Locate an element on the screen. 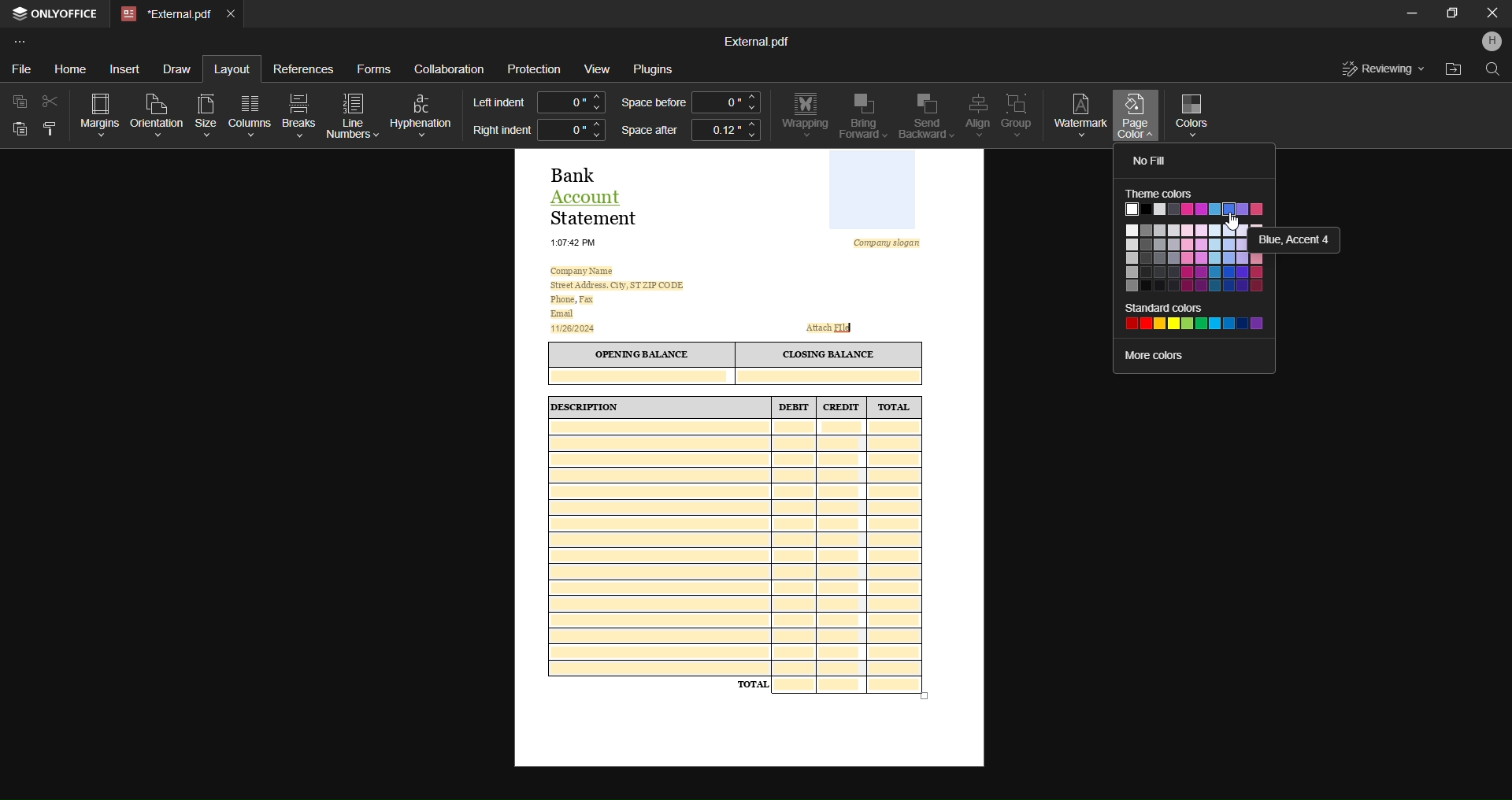 The height and width of the screenshot is (800, 1512). Columns is located at coordinates (252, 114).